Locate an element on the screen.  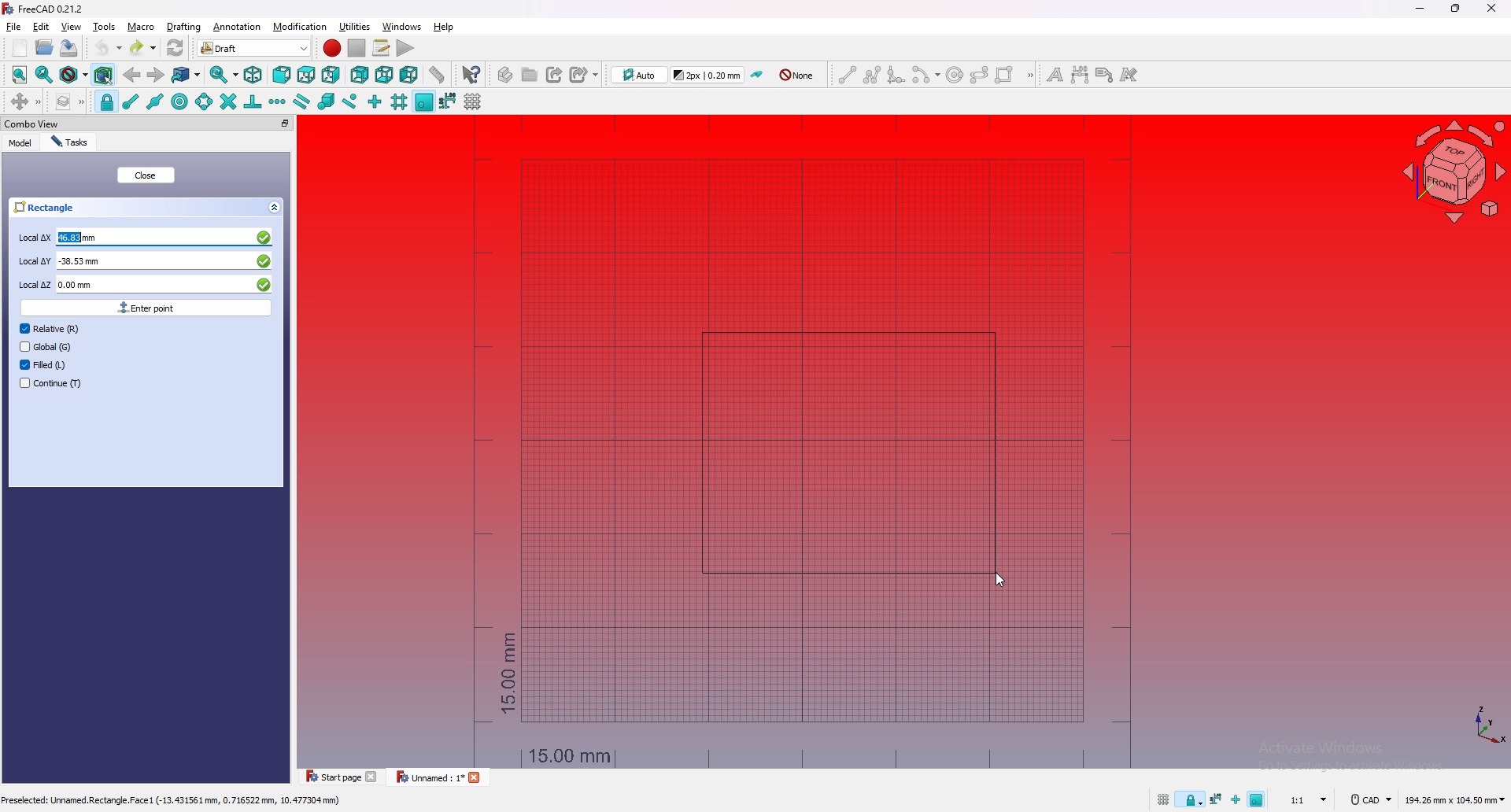
snap ortho is located at coordinates (375, 102).